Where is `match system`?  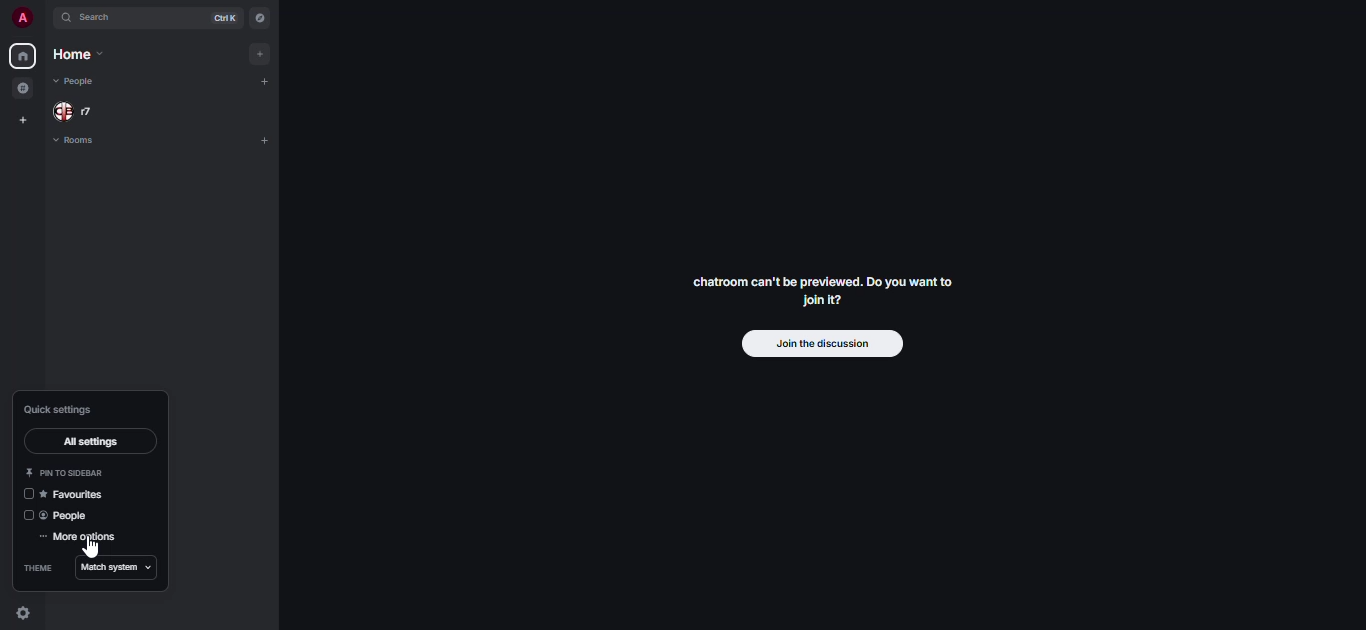
match system is located at coordinates (117, 565).